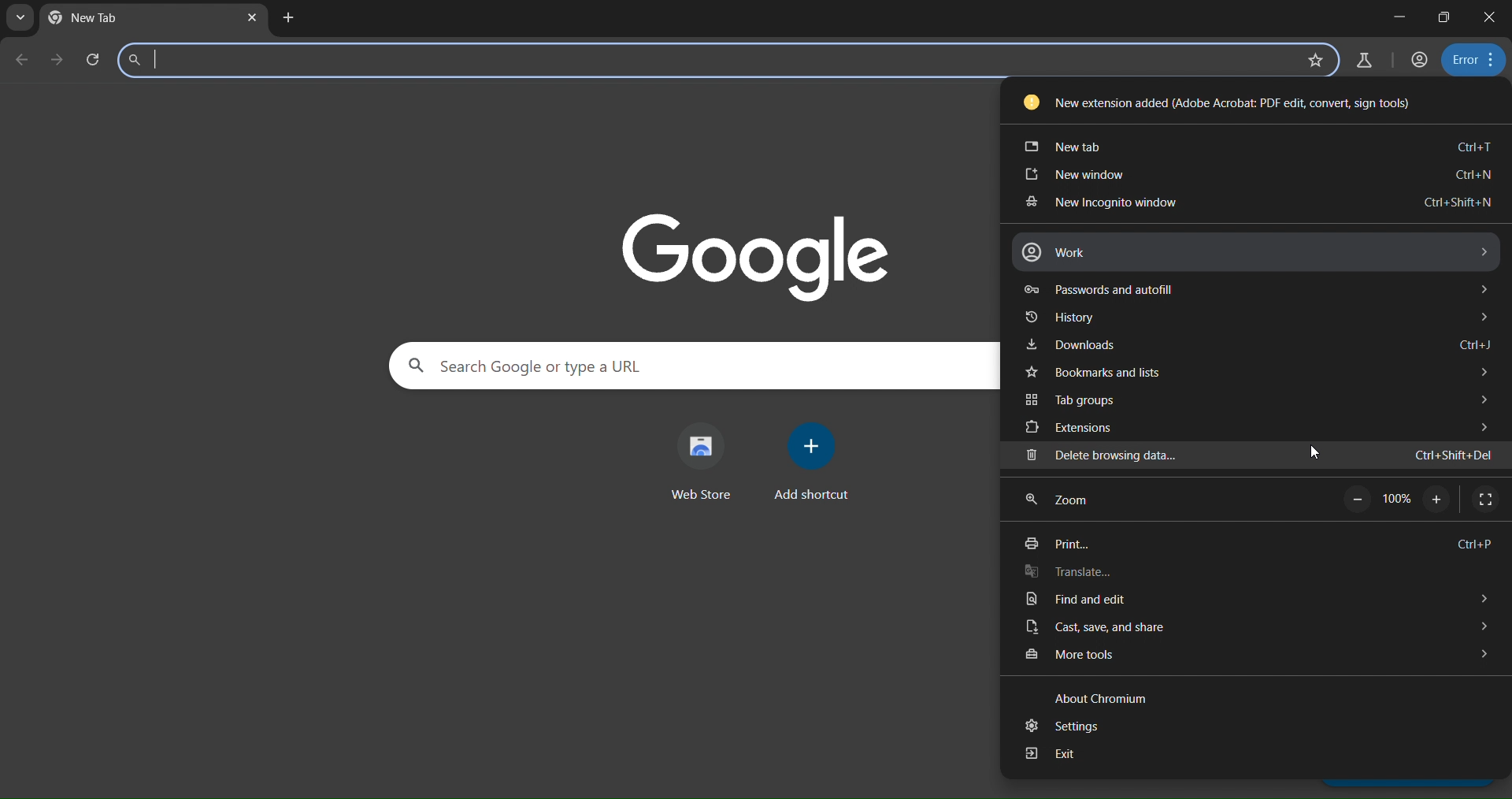 The width and height of the screenshot is (1512, 799). I want to click on new incognito window, so click(1254, 203).